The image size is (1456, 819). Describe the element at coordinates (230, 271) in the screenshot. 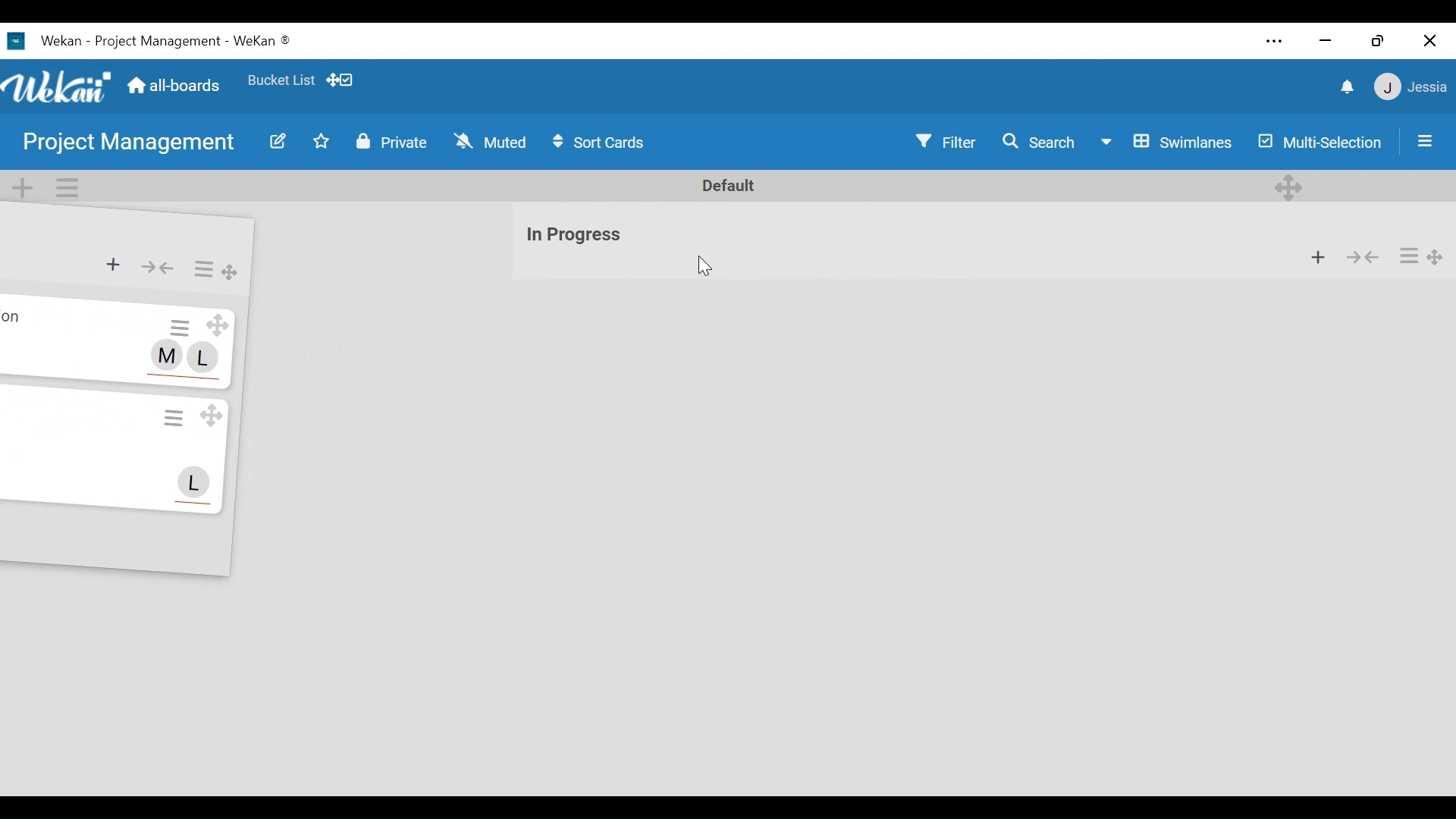

I see `Drag List` at that location.